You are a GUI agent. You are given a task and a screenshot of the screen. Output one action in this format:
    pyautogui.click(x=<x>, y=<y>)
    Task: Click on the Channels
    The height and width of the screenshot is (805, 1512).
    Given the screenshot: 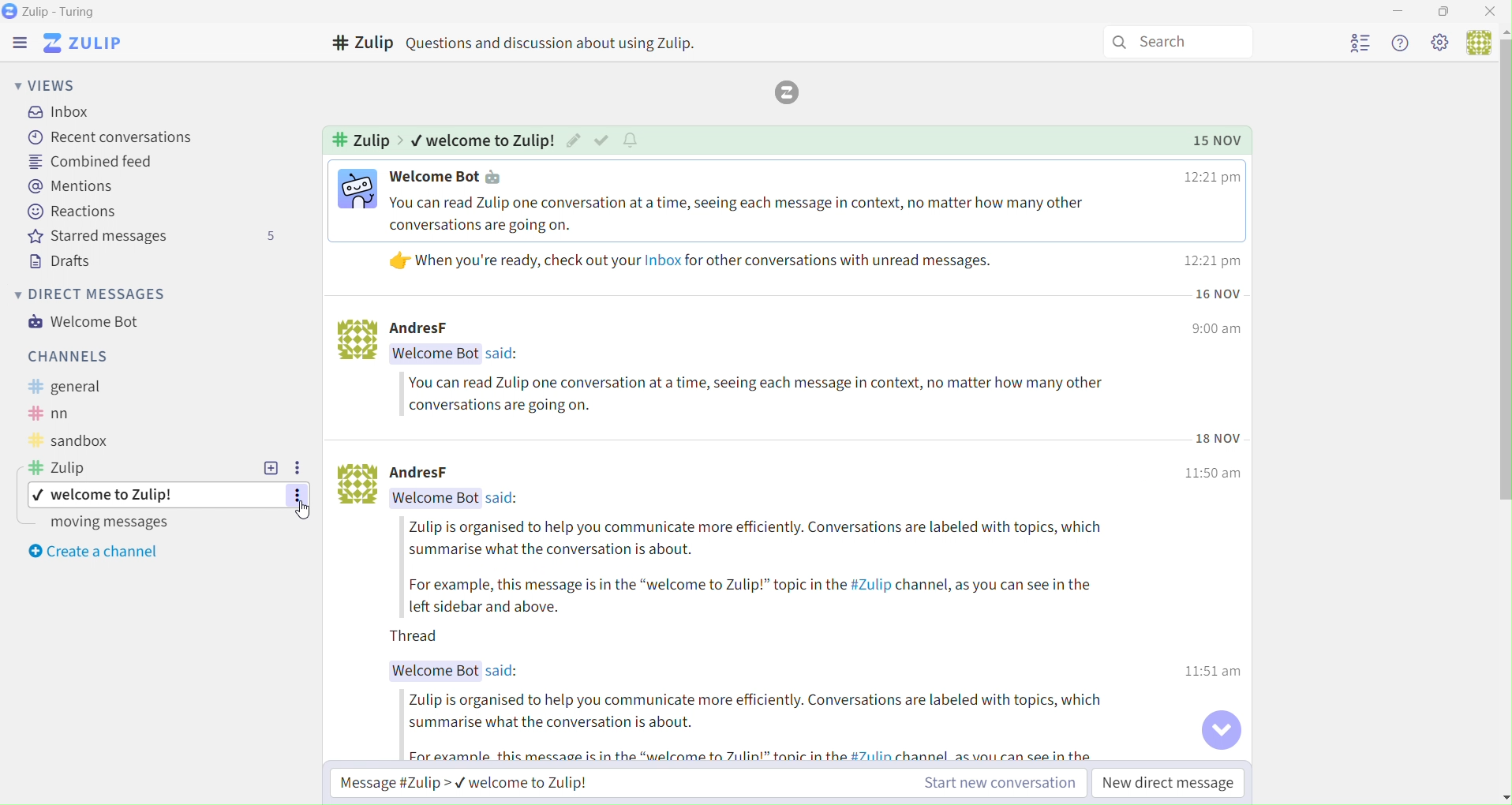 What is the action you would take?
    pyautogui.click(x=62, y=357)
    